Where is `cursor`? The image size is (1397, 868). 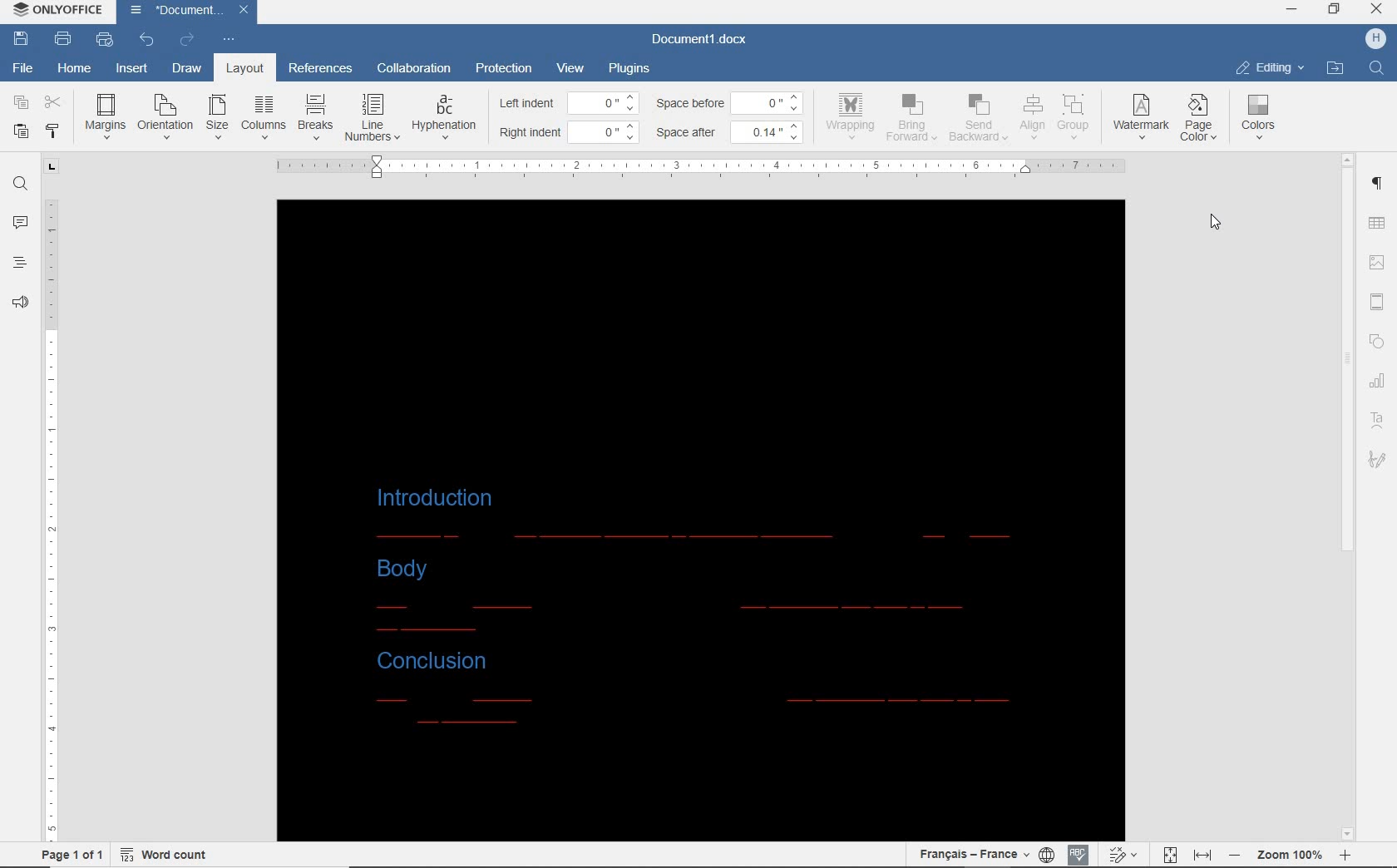 cursor is located at coordinates (1220, 225).